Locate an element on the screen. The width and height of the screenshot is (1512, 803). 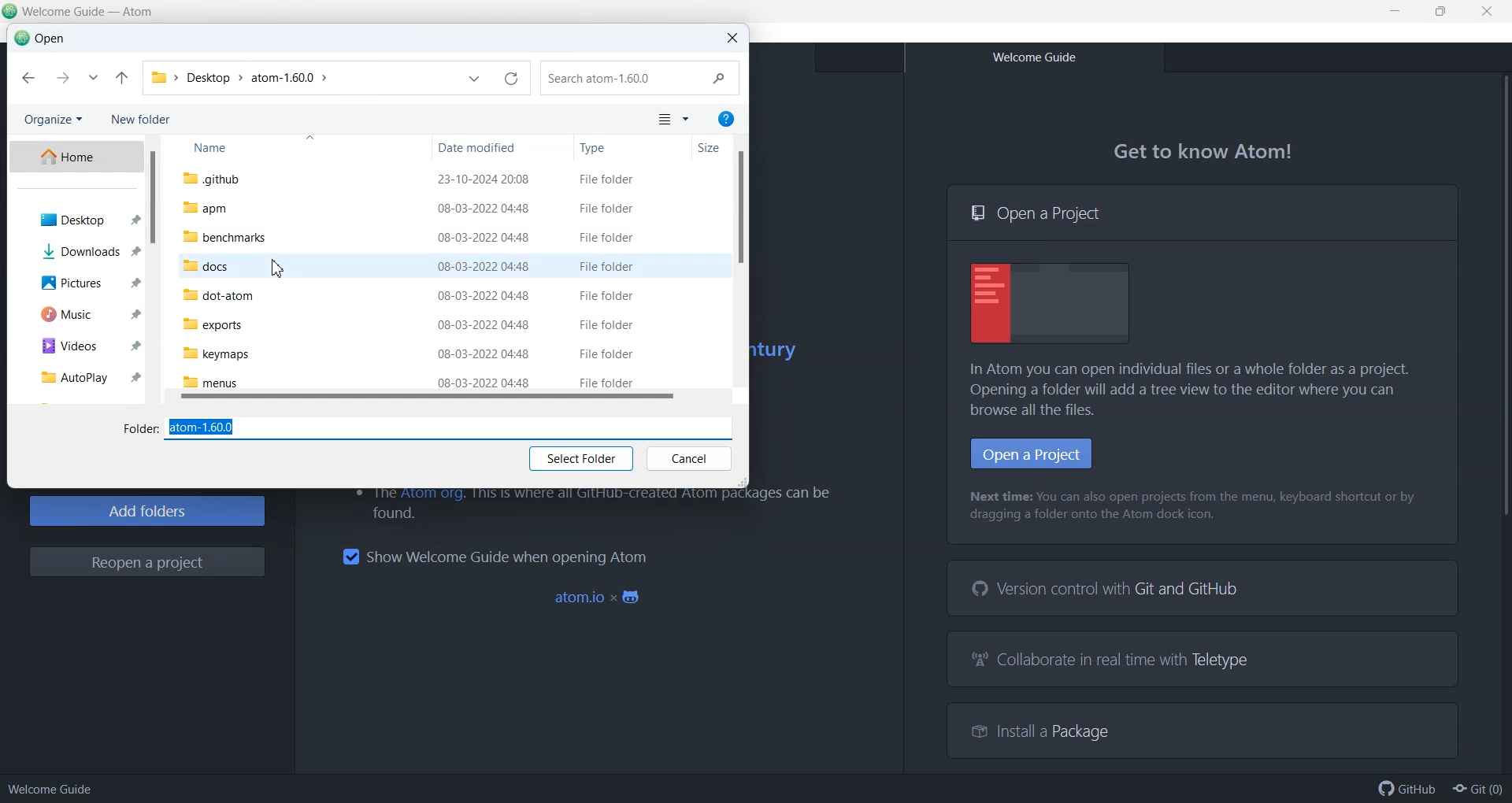
08-03-2022 04:48 is located at coordinates (484, 267).